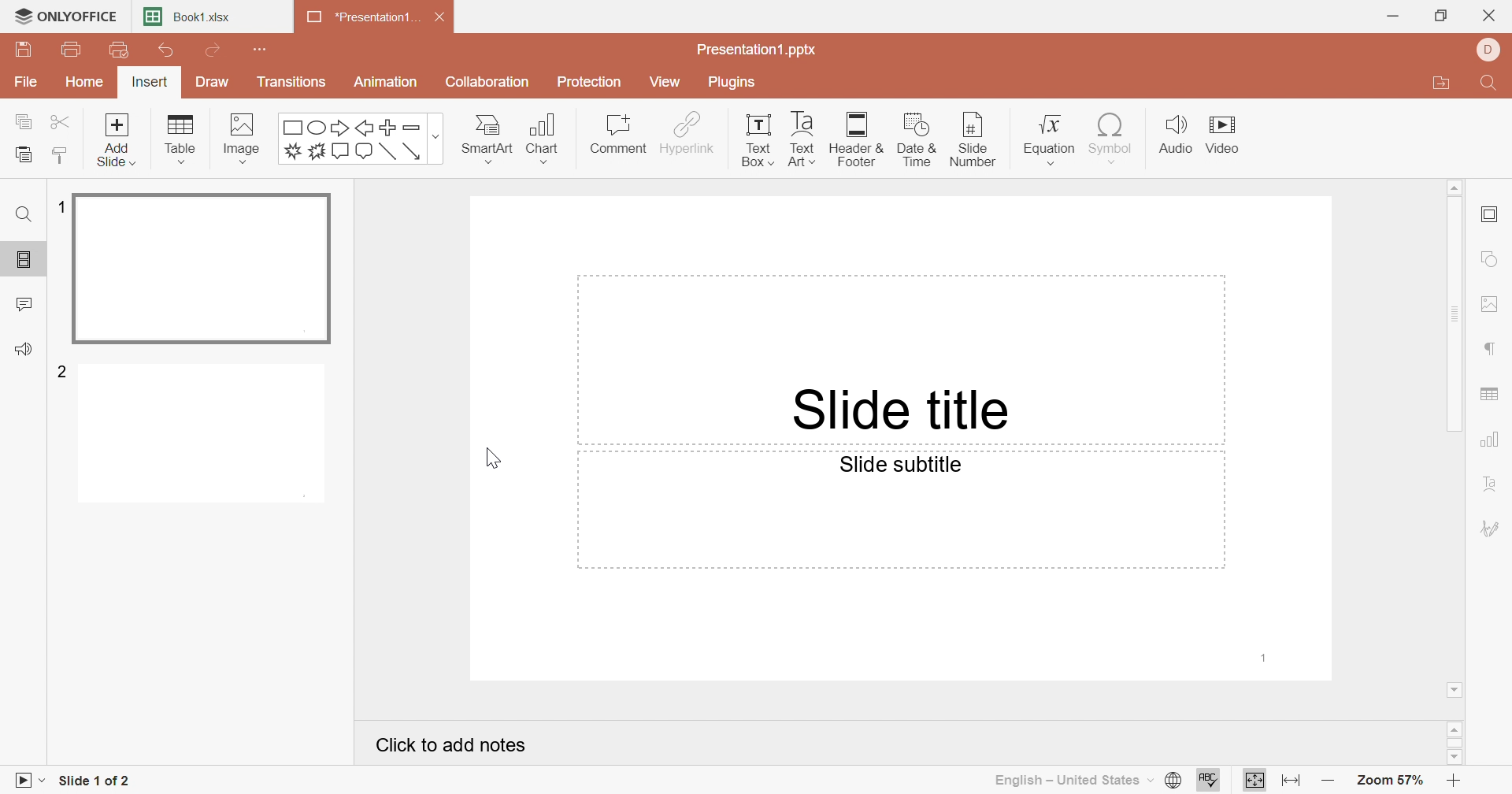 This screenshot has height=794, width=1512. Describe the element at coordinates (1451, 755) in the screenshot. I see `Scroll Down` at that location.